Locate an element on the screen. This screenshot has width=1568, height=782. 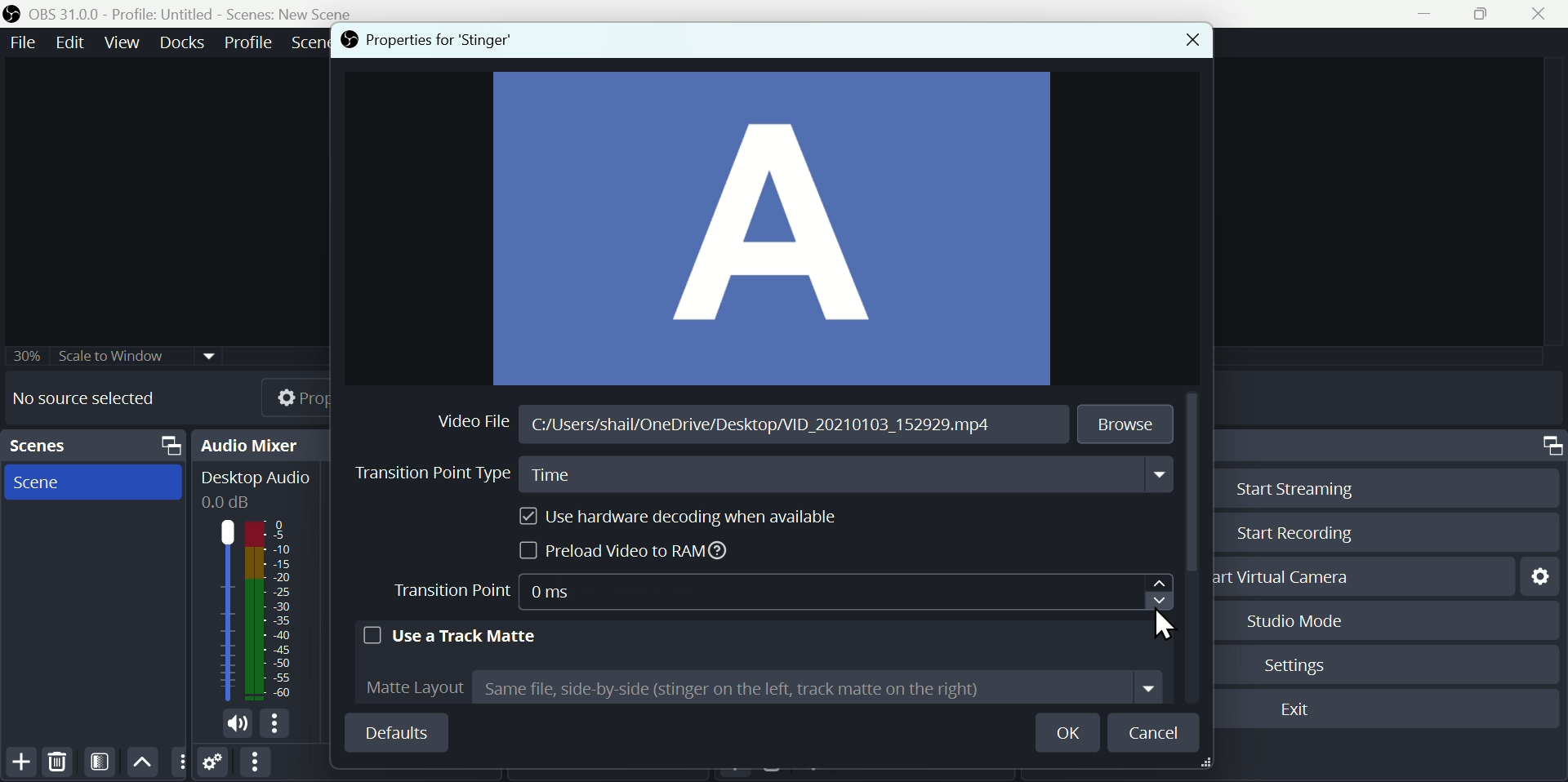
Use hardware decoding when available is located at coordinates (671, 517).